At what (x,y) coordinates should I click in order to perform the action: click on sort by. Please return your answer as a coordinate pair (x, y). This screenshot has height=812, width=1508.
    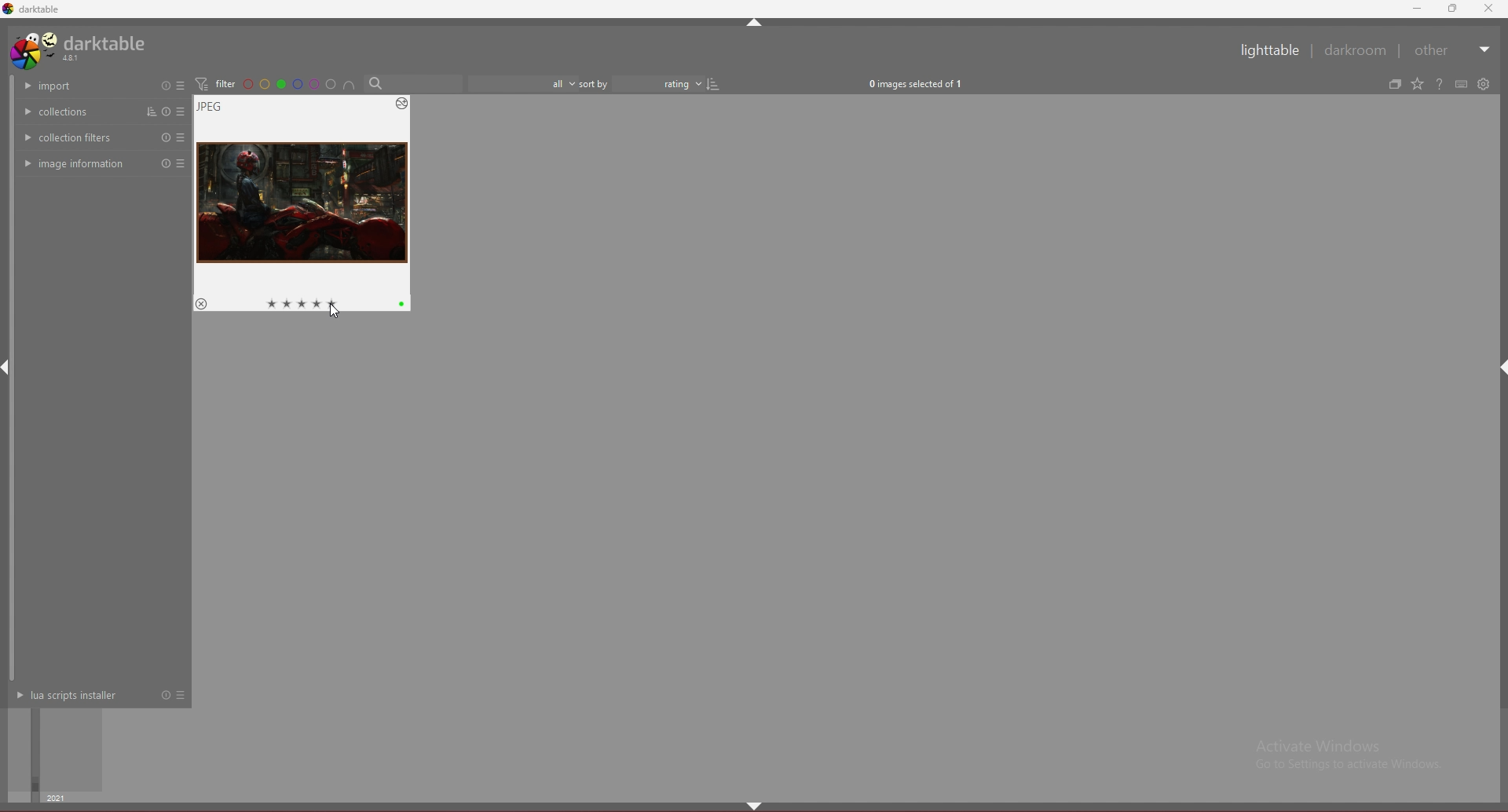
    Looking at the image, I should click on (594, 84).